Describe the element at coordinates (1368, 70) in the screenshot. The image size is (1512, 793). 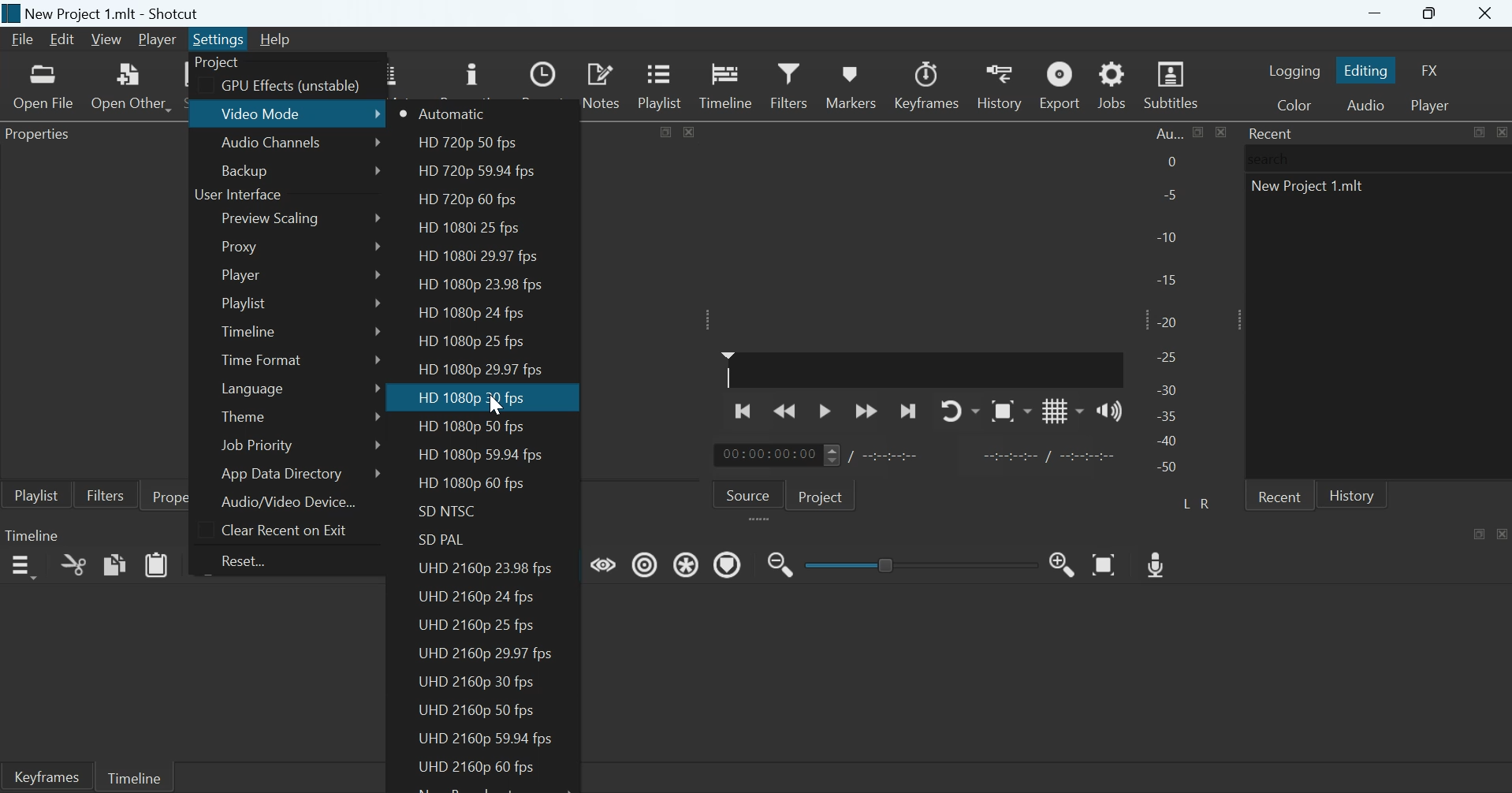
I see `Switch to the Editing layout` at that location.